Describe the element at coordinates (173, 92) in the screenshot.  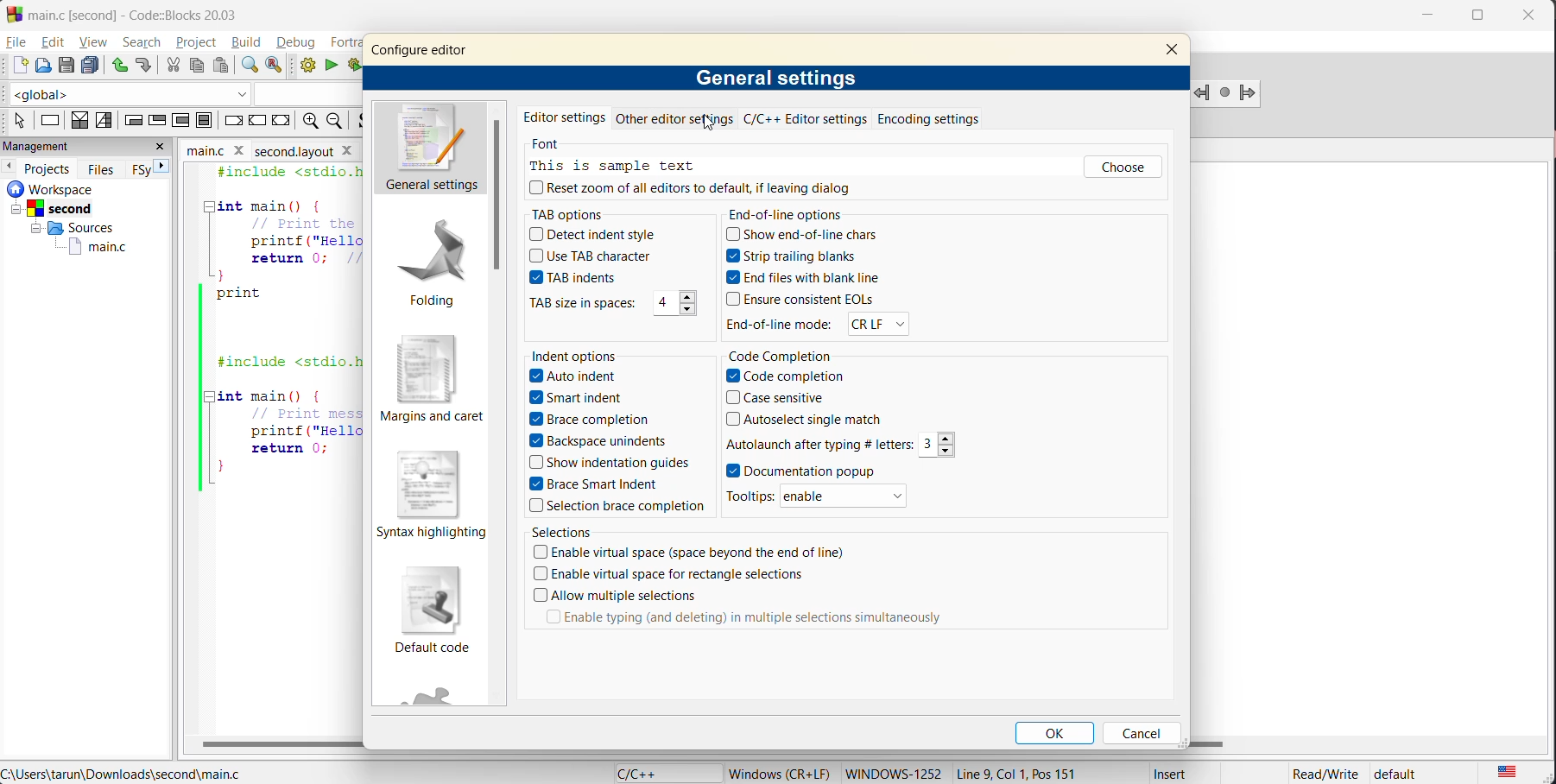
I see `code completion compiler` at that location.